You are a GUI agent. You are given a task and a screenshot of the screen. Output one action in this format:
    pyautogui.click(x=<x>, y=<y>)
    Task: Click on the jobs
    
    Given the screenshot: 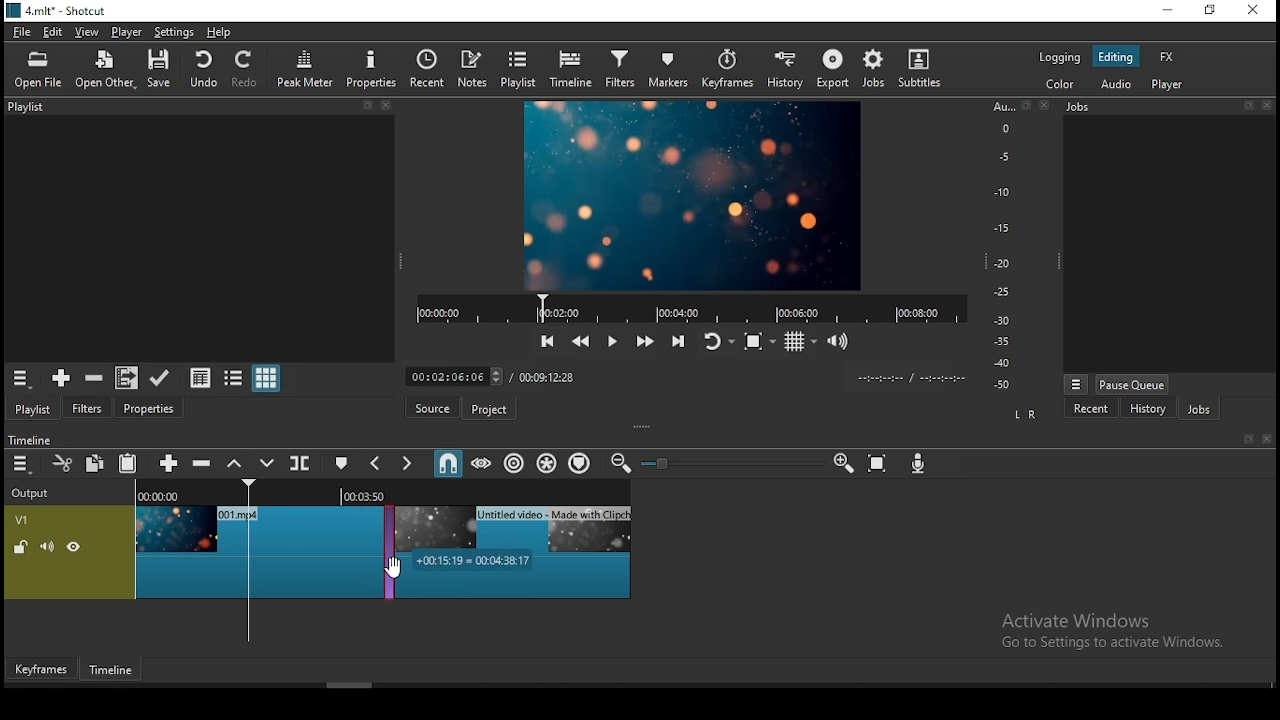 What is the action you would take?
    pyautogui.click(x=1172, y=107)
    